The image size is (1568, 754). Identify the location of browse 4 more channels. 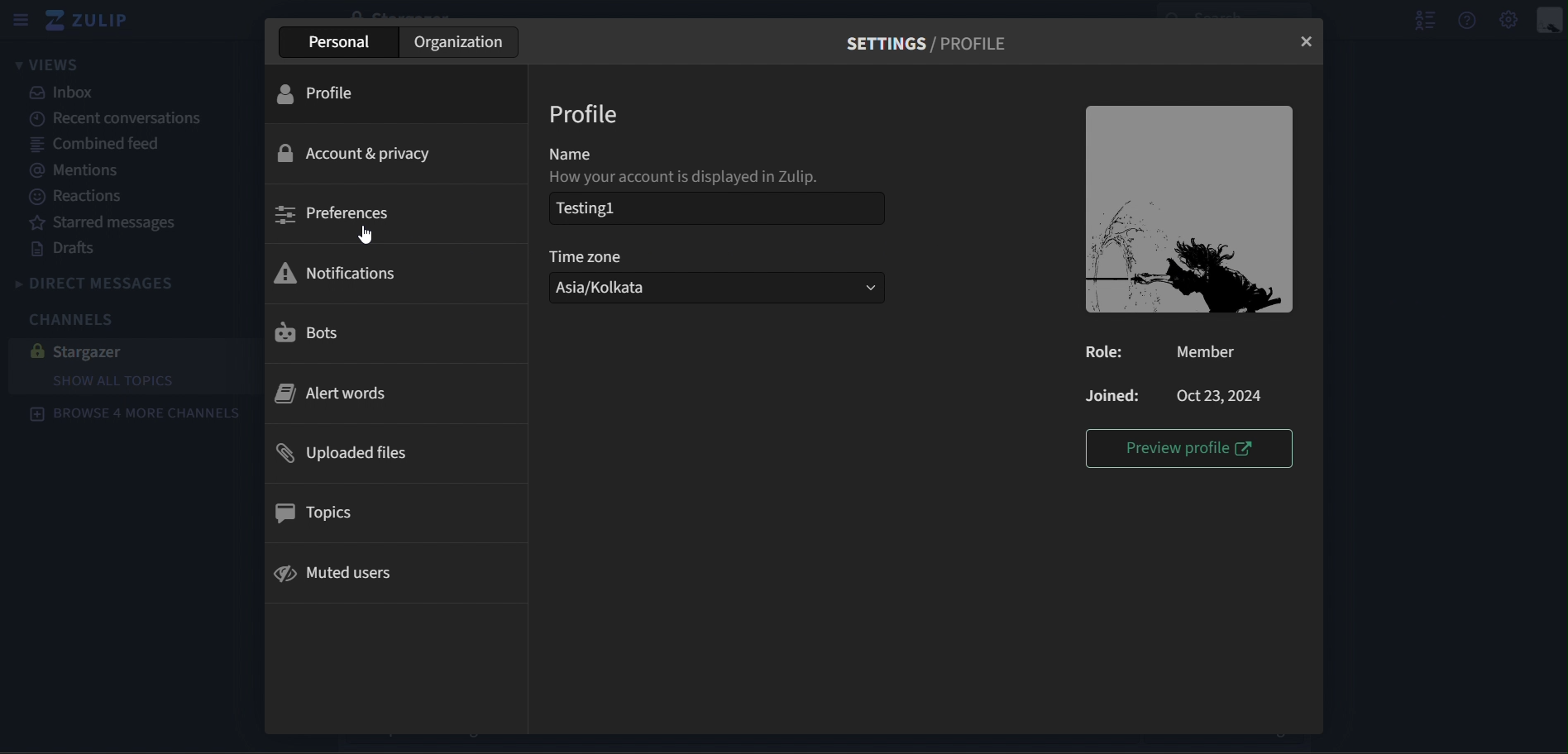
(136, 416).